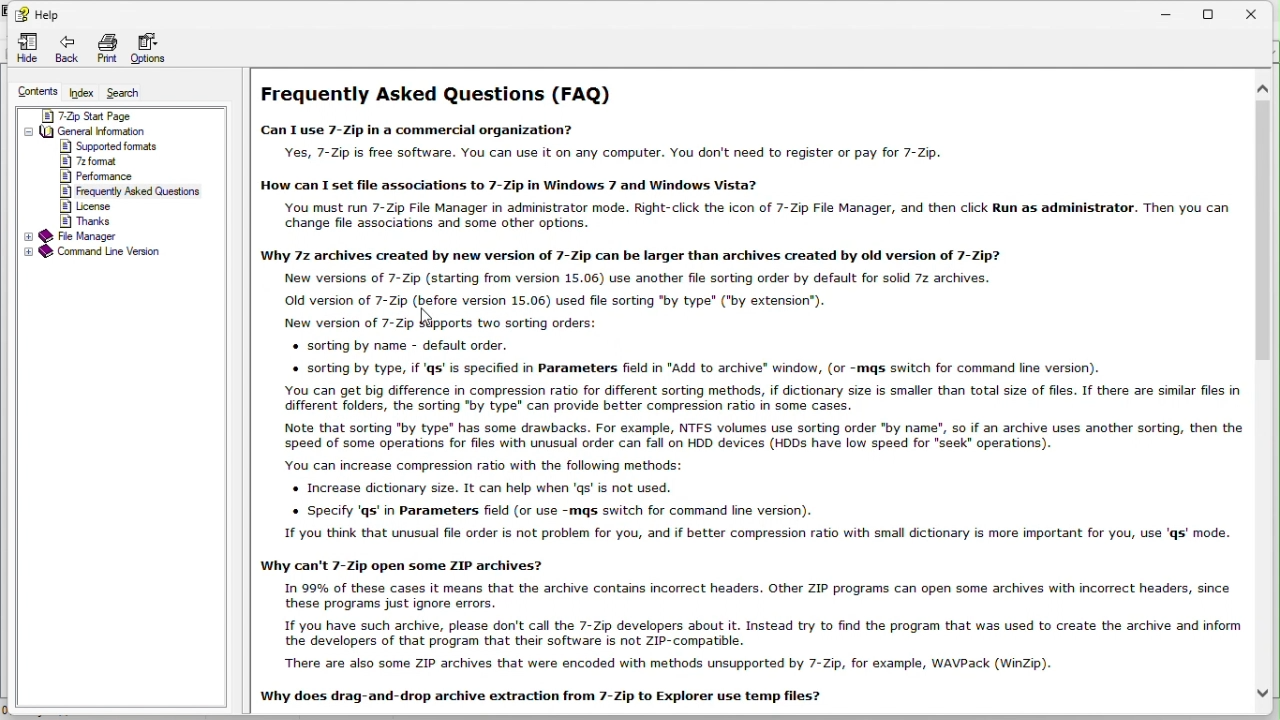 This screenshot has width=1280, height=720. Describe the element at coordinates (64, 51) in the screenshot. I see `back` at that location.